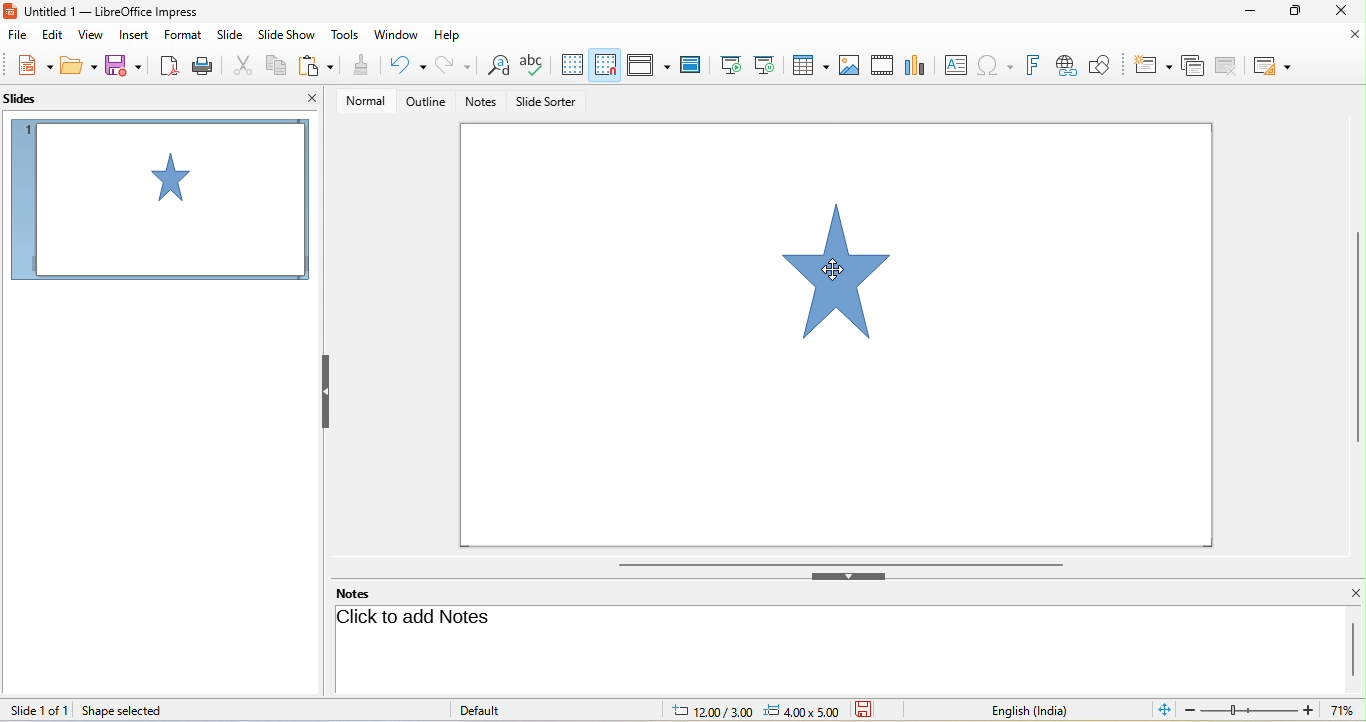 The width and height of the screenshot is (1366, 722). Describe the element at coordinates (78, 66) in the screenshot. I see `open` at that location.